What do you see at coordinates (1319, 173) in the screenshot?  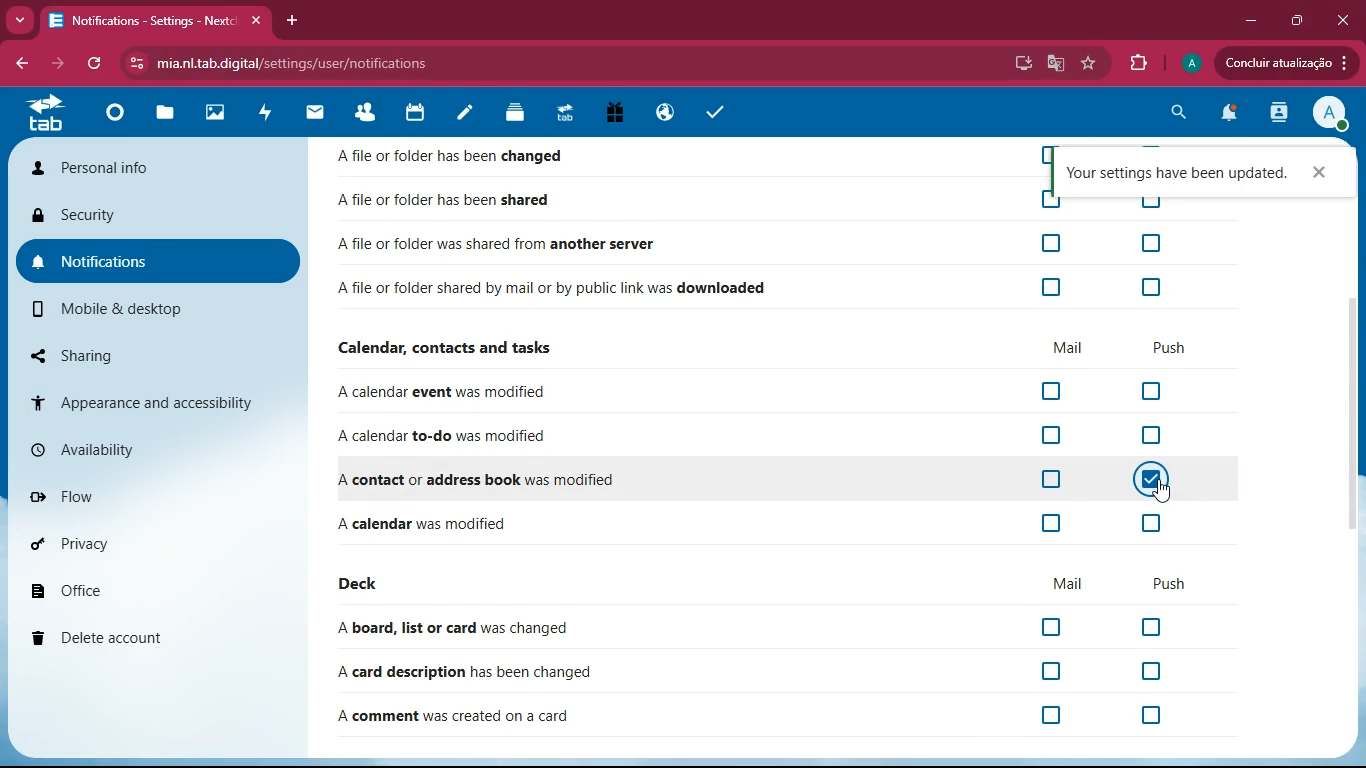 I see `close` at bounding box center [1319, 173].